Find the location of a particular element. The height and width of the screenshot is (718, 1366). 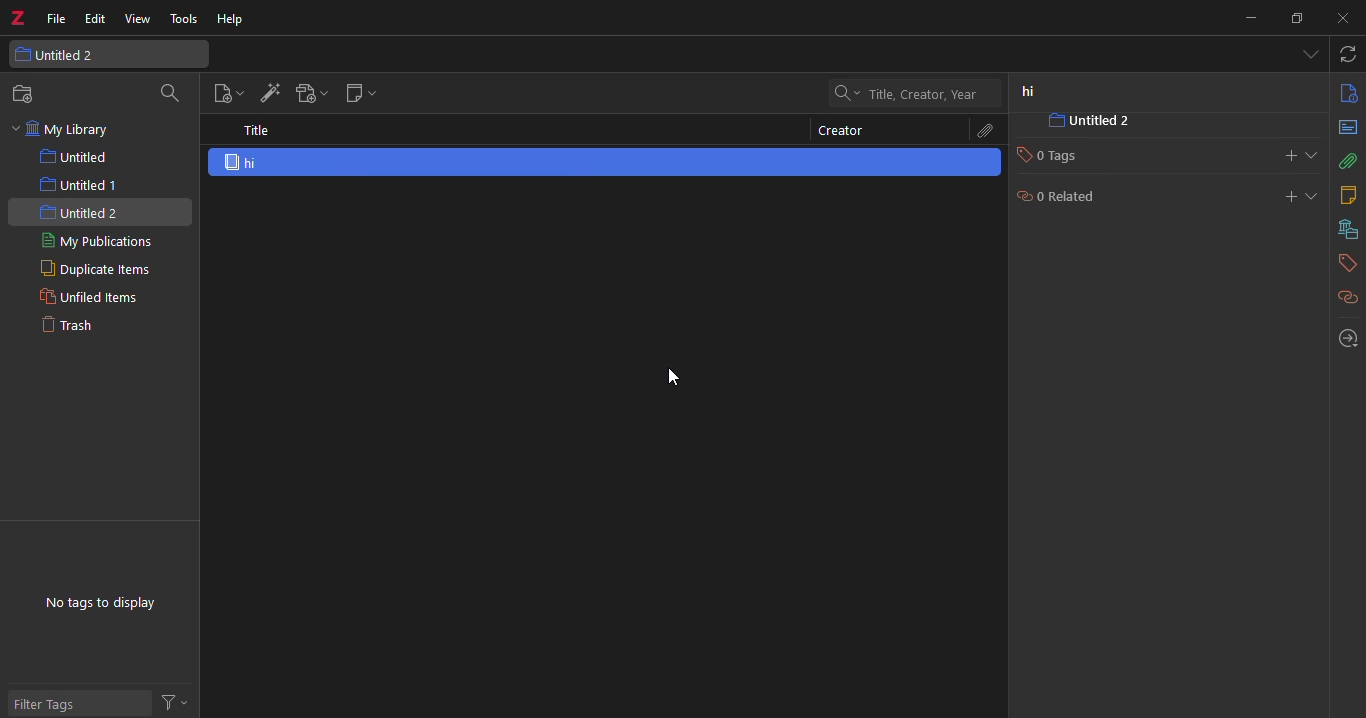

expand is located at coordinates (1316, 156).